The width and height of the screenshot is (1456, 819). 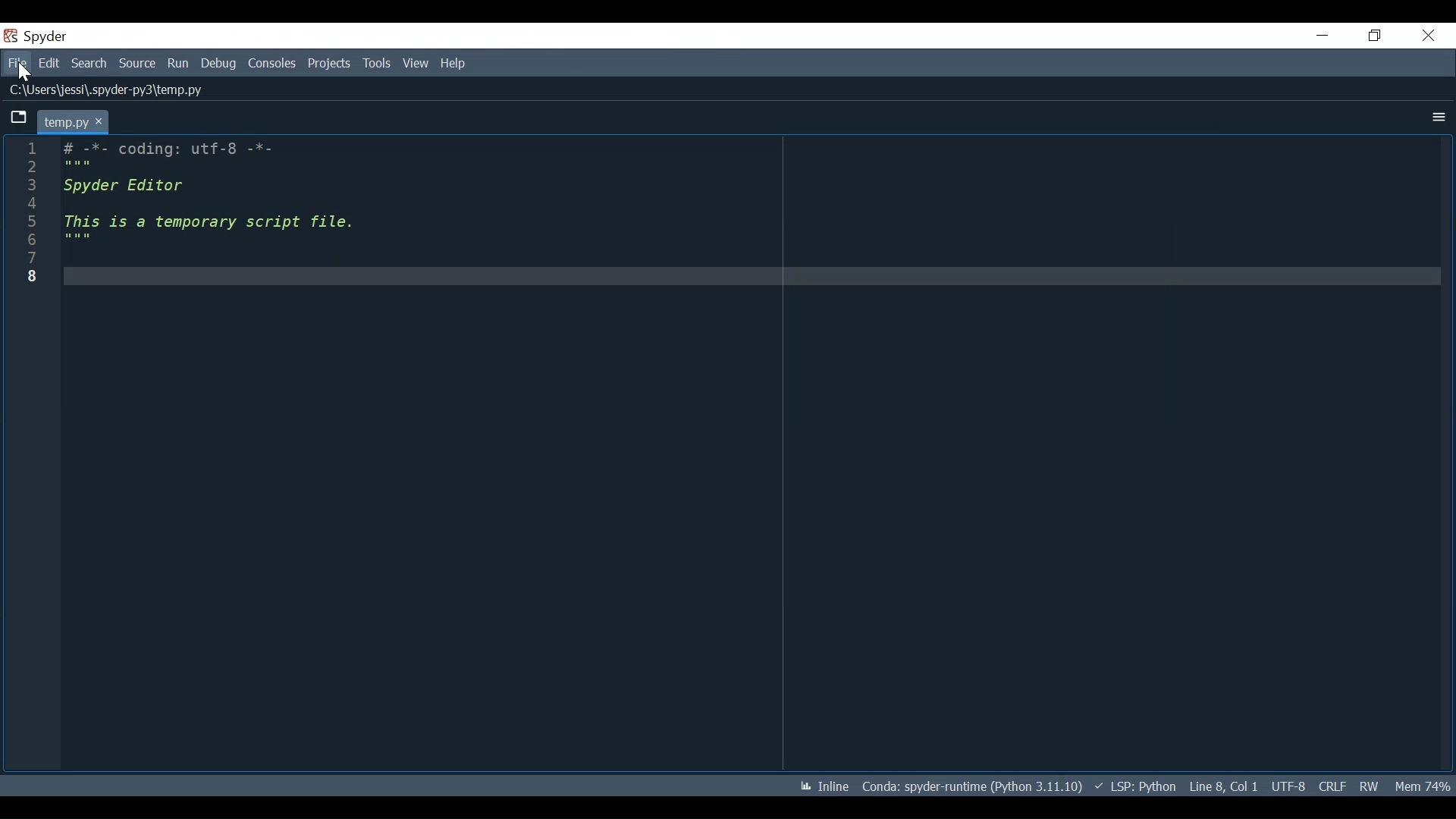 What do you see at coordinates (138, 63) in the screenshot?
I see `Source` at bounding box center [138, 63].